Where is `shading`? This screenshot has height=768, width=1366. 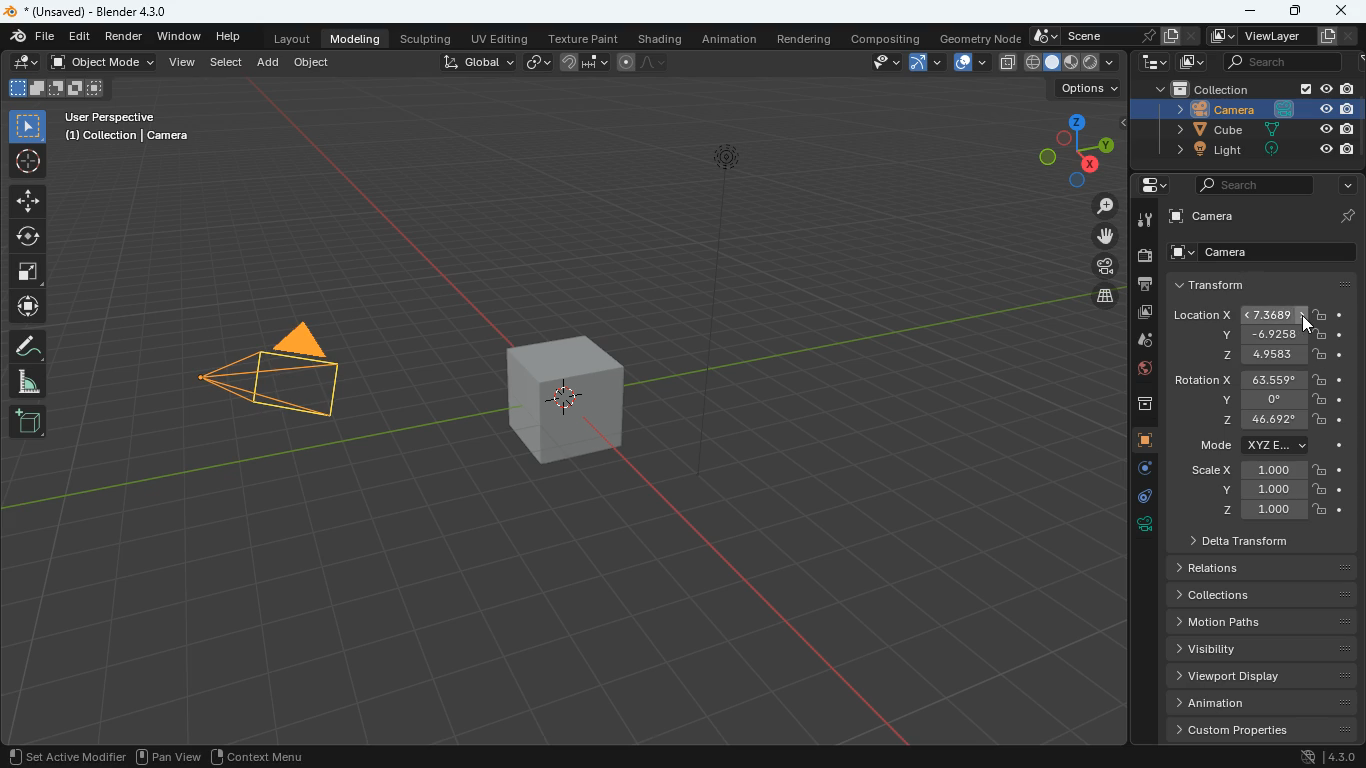 shading is located at coordinates (662, 38).